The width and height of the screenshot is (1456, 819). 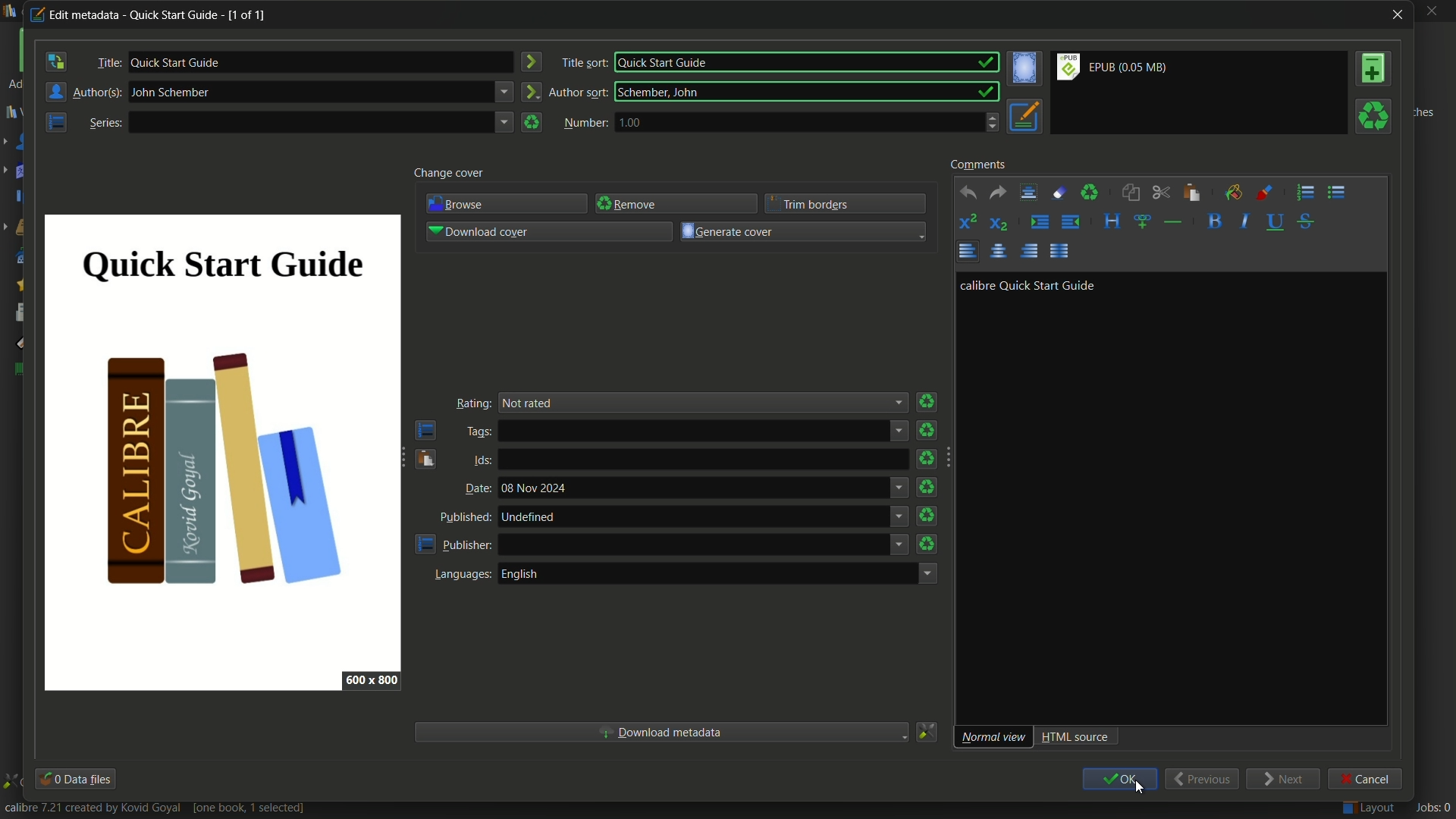 What do you see at coordinates (460, 575) in the screenshot?
I see `languages` at bounding box center [460, 575].